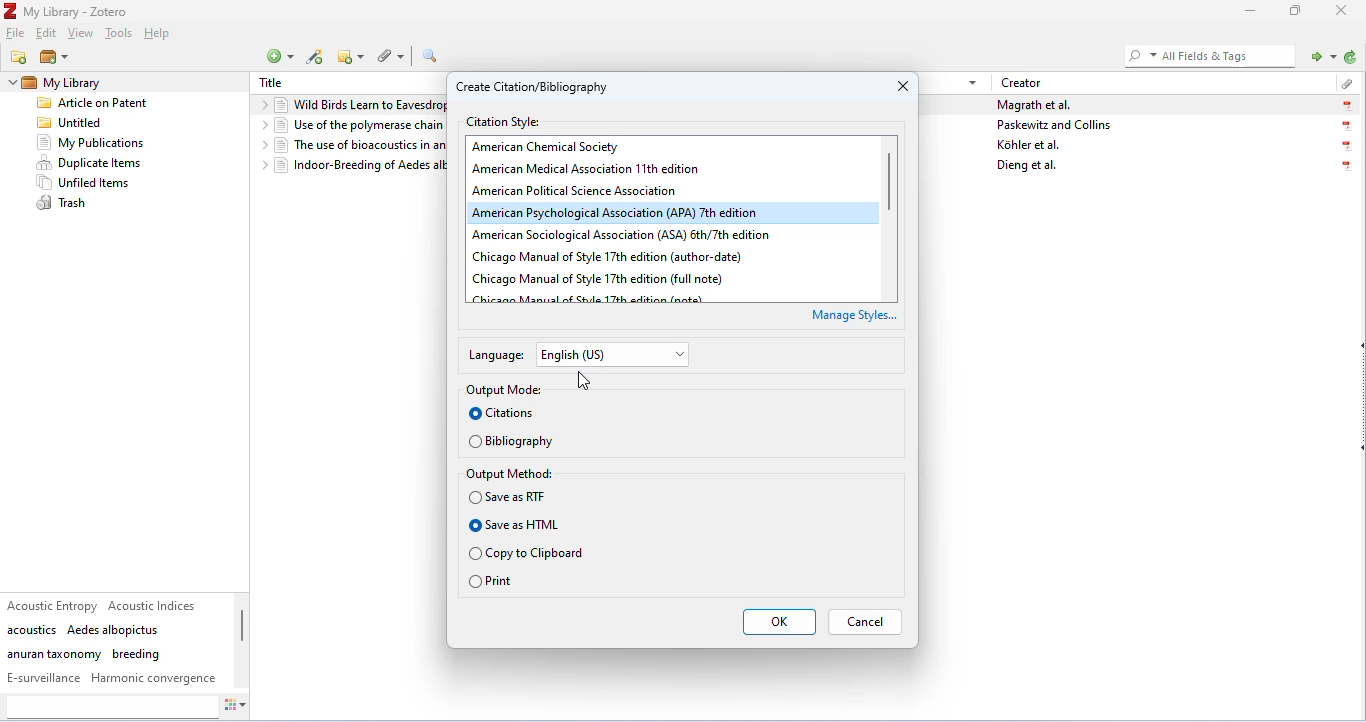 The image size is (1366, 722). What do you see at coordinates (779, 620) in the screenshot?
I see `ok` at bounding box center [779, 620].